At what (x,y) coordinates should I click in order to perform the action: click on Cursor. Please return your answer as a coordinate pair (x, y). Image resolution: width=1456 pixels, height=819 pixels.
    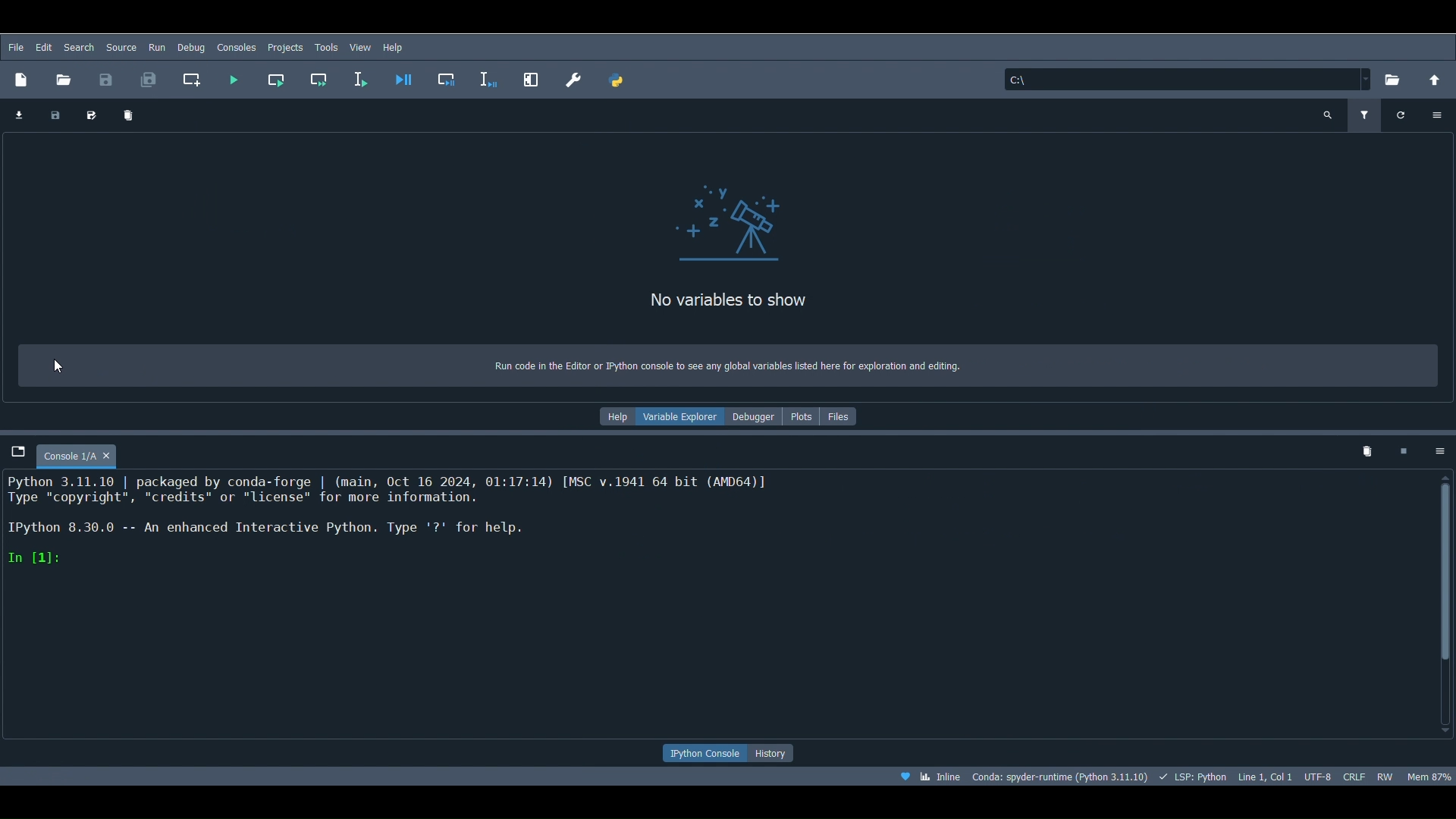
    Looking at the image, I should click on (62, 368).